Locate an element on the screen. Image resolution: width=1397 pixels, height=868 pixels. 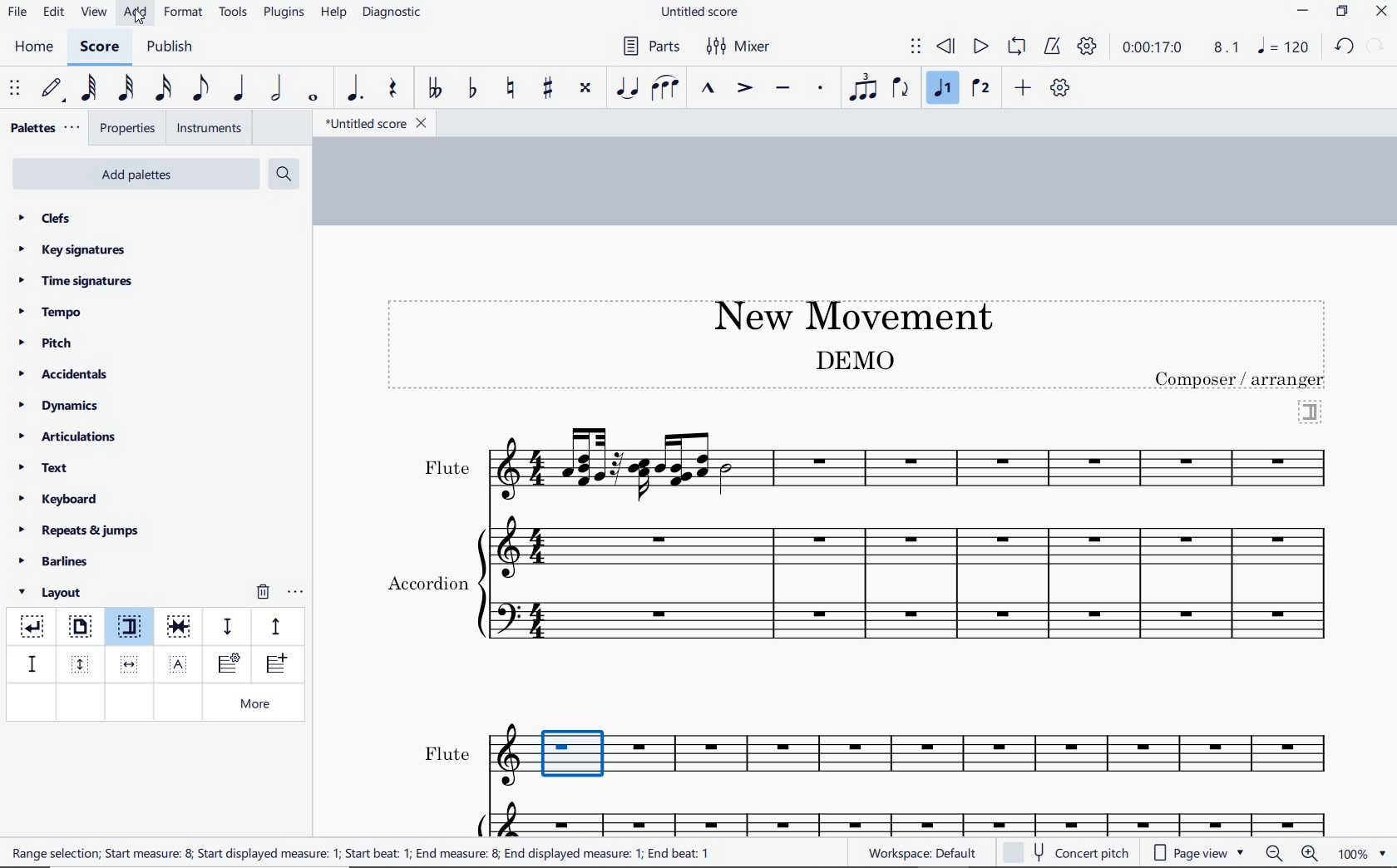
64th note is located at coordinates (91, 88).